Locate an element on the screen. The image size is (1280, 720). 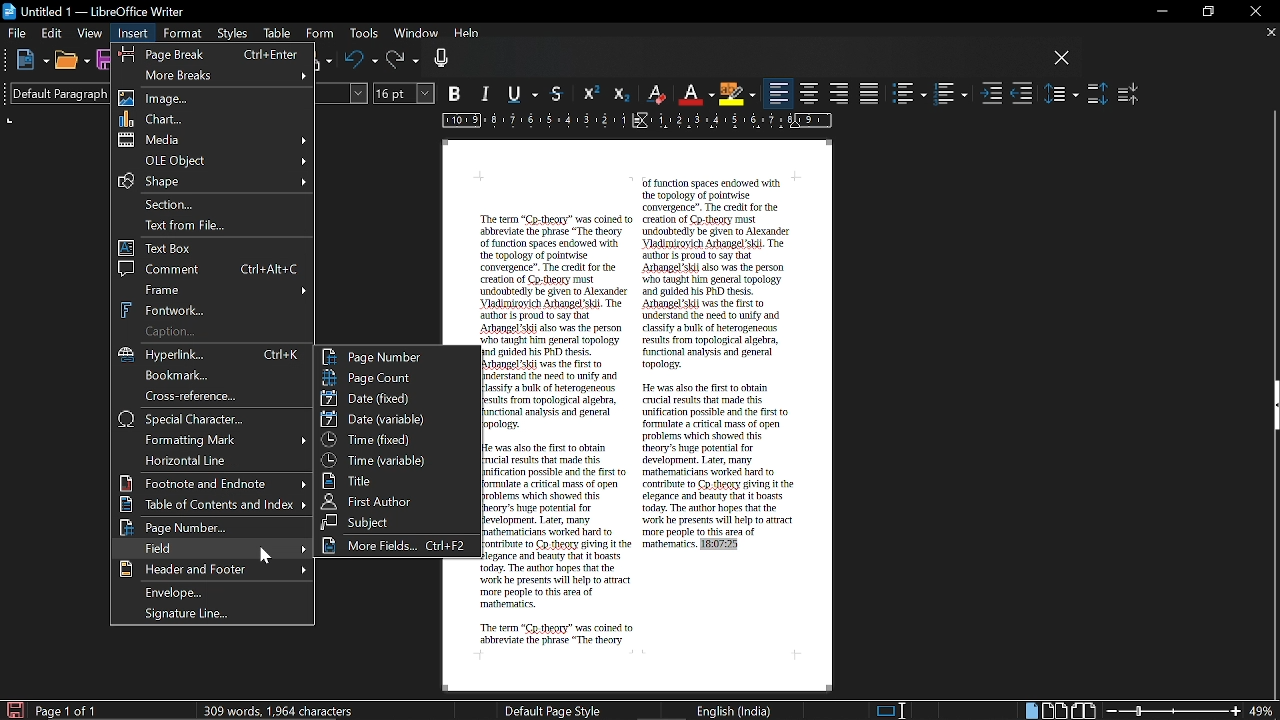
VOice input is located at coordinates (739, 61).